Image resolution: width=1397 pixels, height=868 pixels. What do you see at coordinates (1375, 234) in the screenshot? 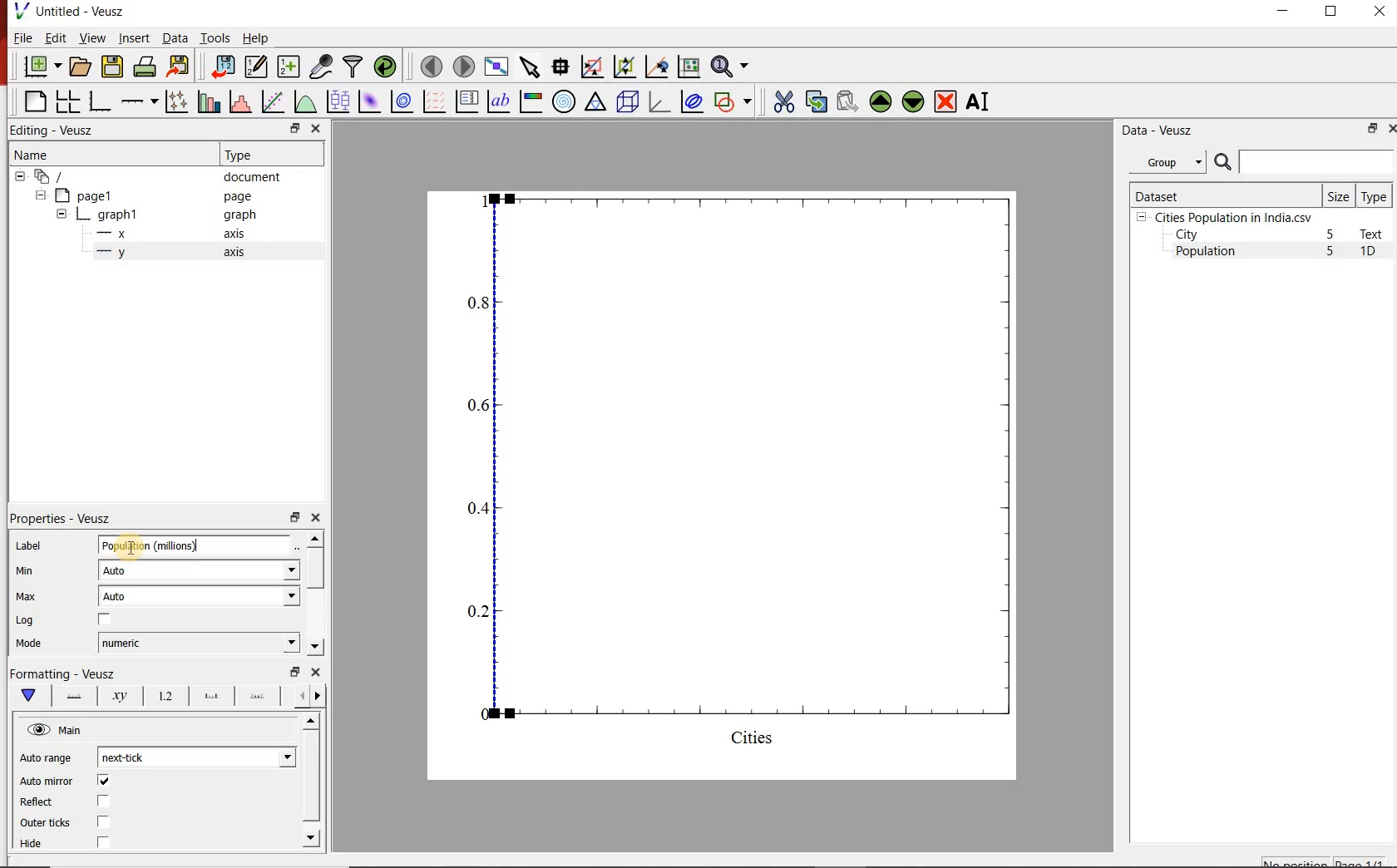
I see `Text` at bounding box center [1375, 234].